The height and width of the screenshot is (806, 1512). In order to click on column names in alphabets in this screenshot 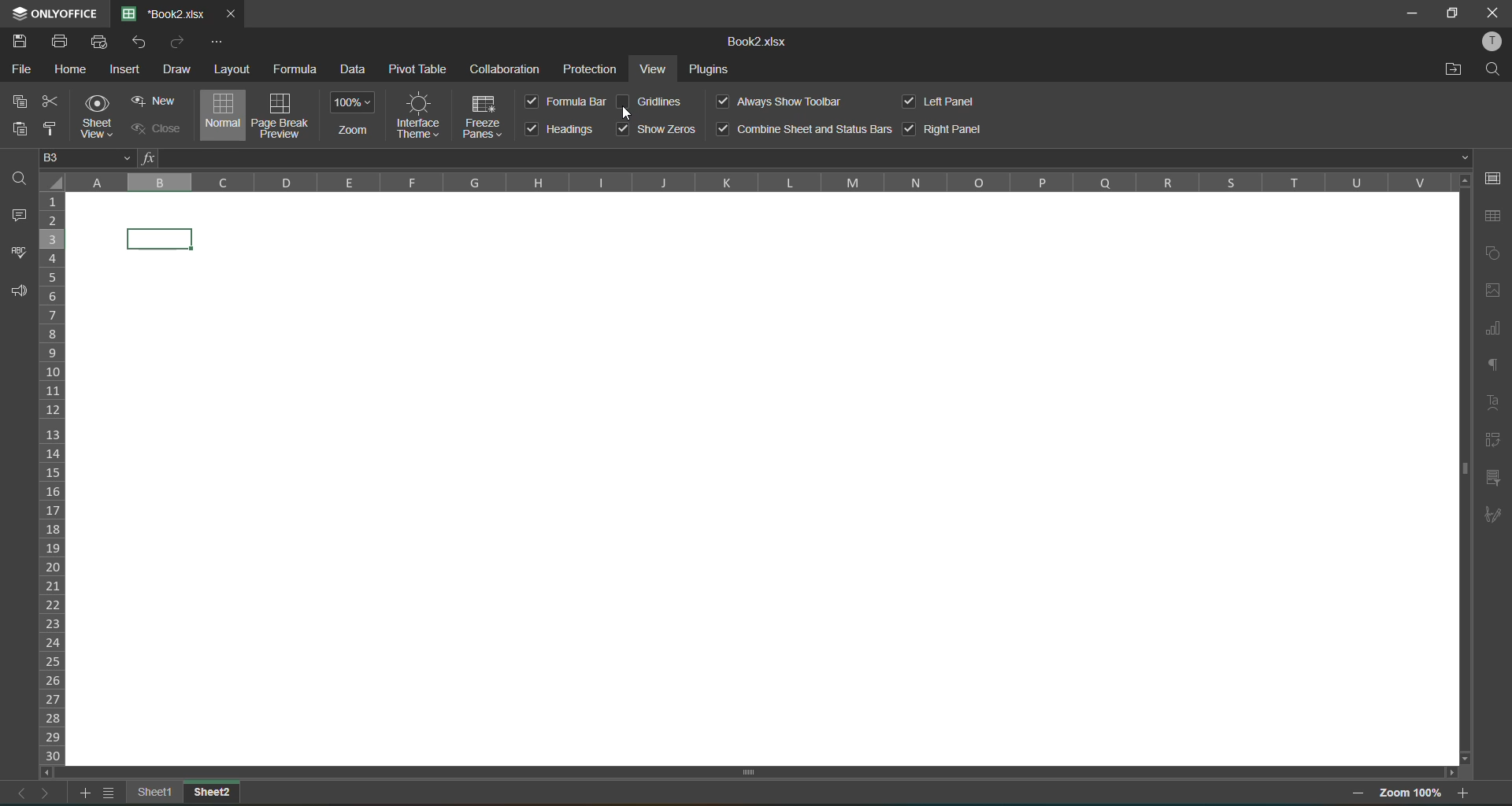, I will do `click(758, 182)`.